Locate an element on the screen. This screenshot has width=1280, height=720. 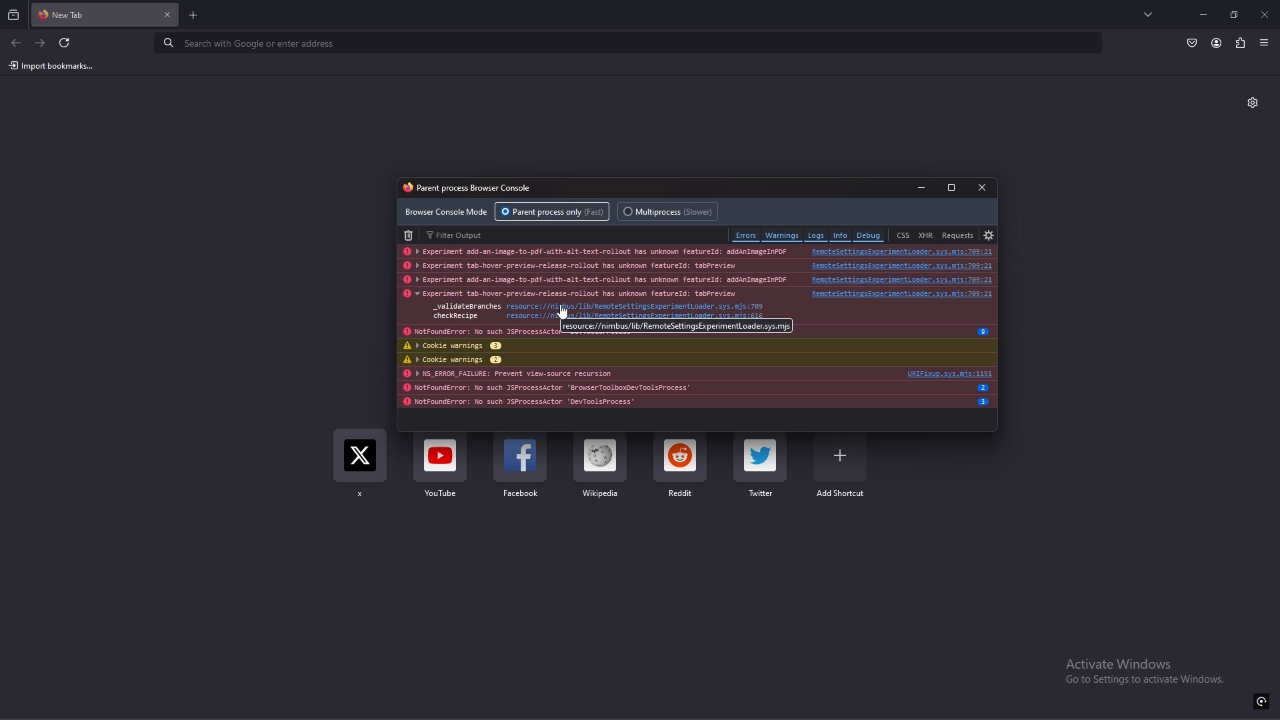
youtube is located at coordinates (441, 470).